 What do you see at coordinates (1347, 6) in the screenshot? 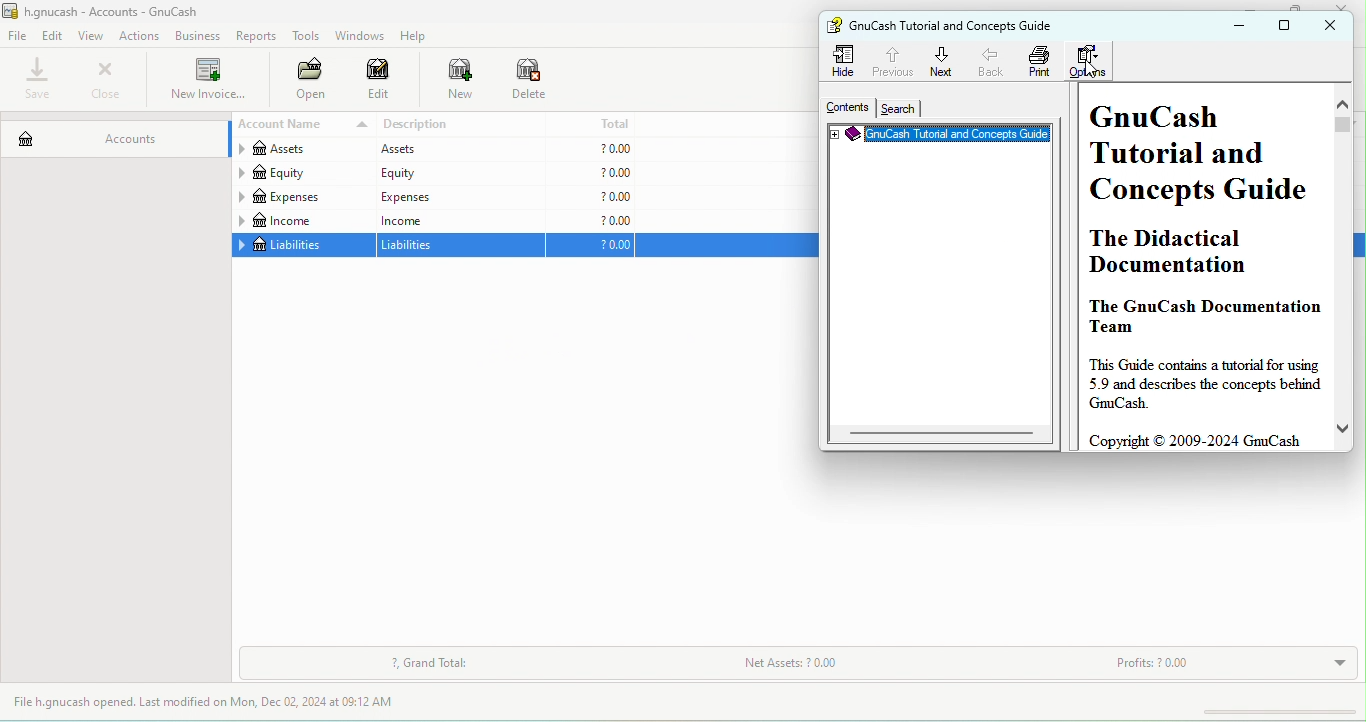
I see `close` at bounding box center [1347, 6].